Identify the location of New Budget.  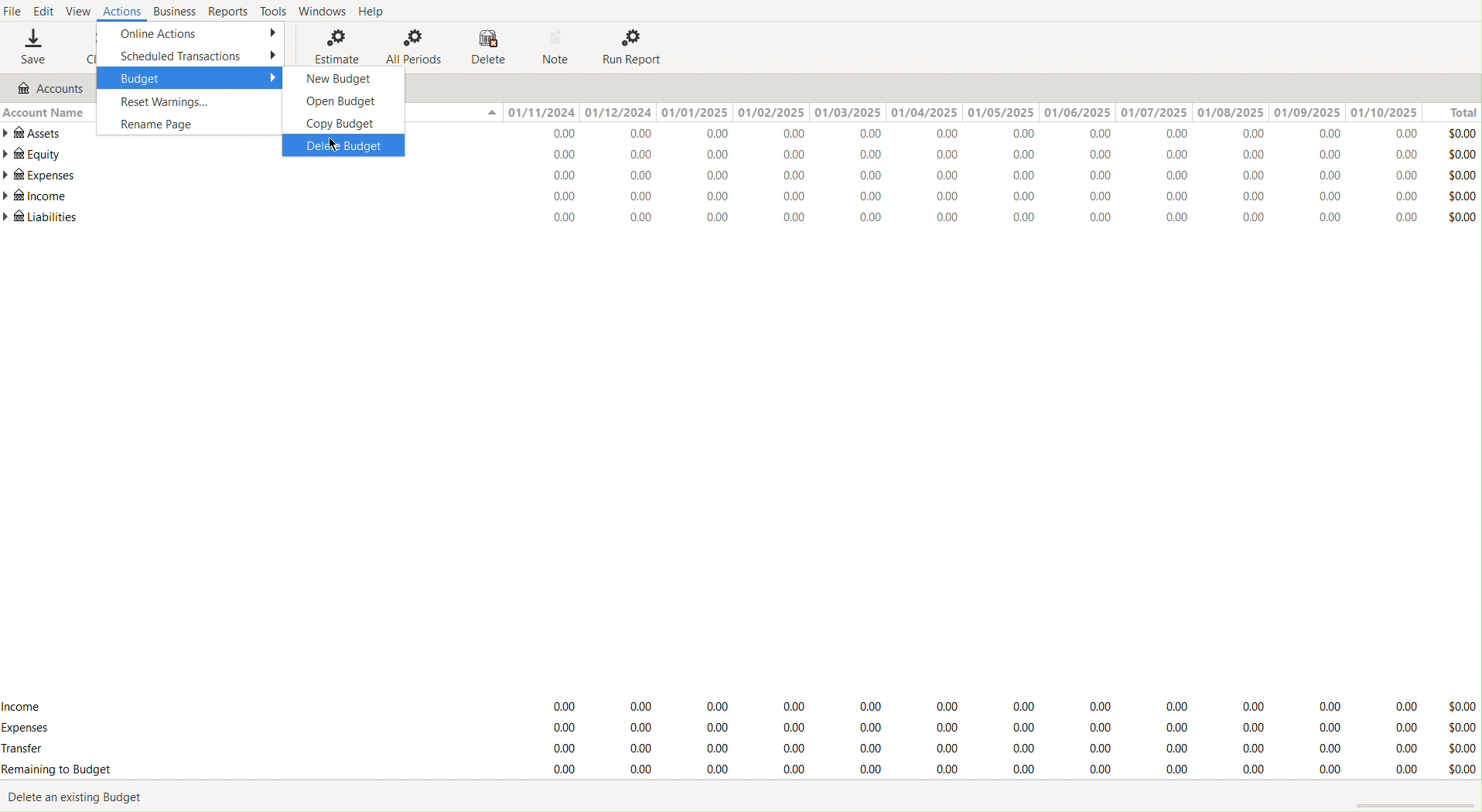
(345, 77).